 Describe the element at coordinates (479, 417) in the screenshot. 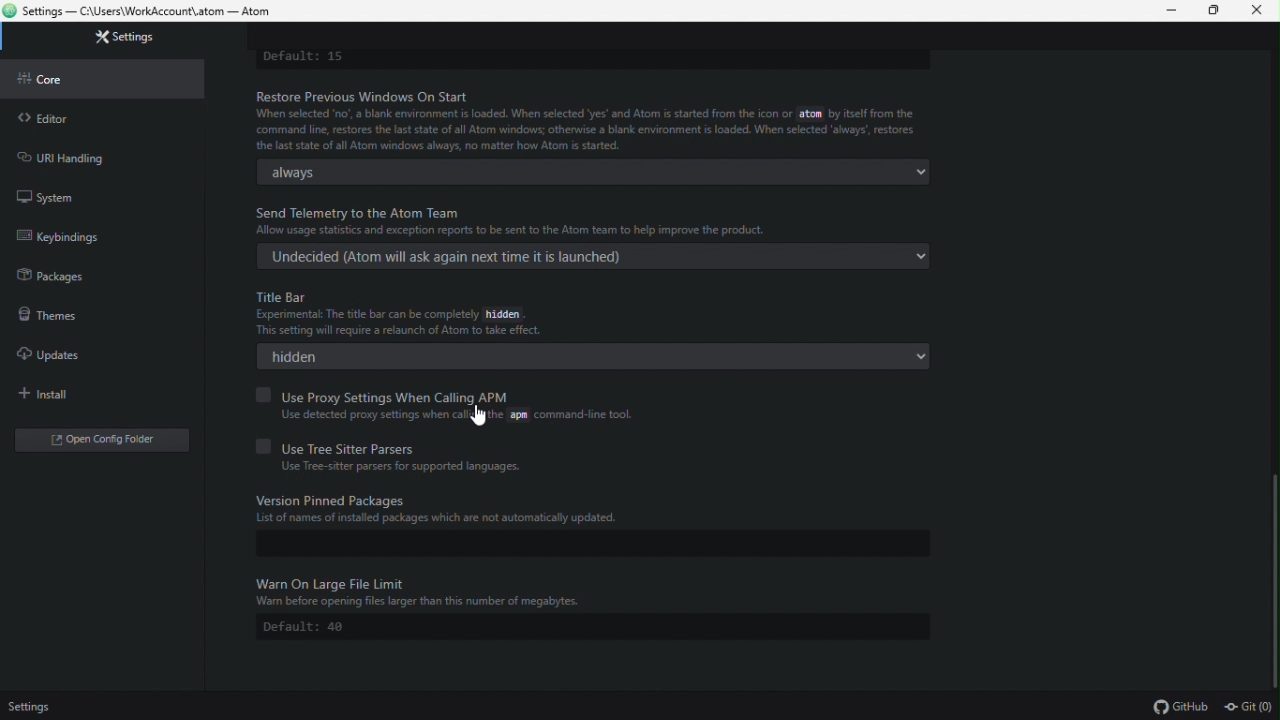

I see `cursor` at that location.